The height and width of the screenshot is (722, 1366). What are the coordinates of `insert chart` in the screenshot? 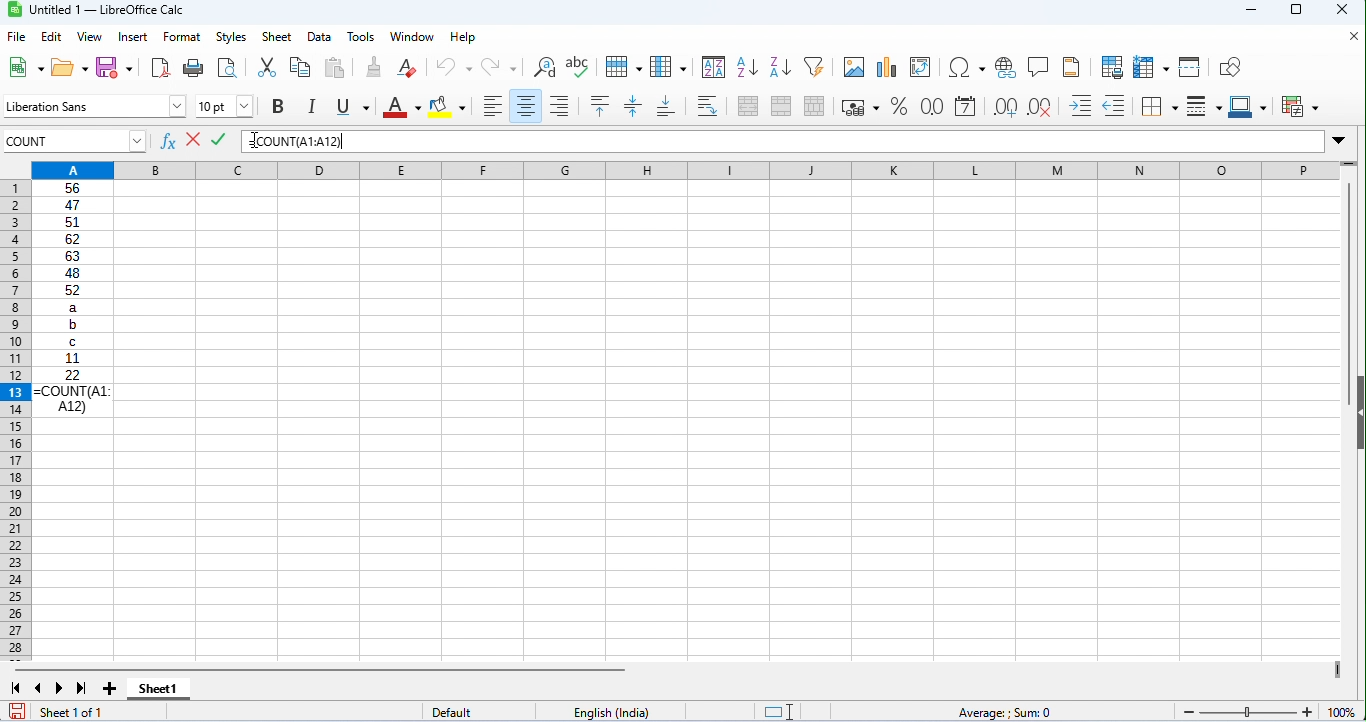 It's located at (885, 68).